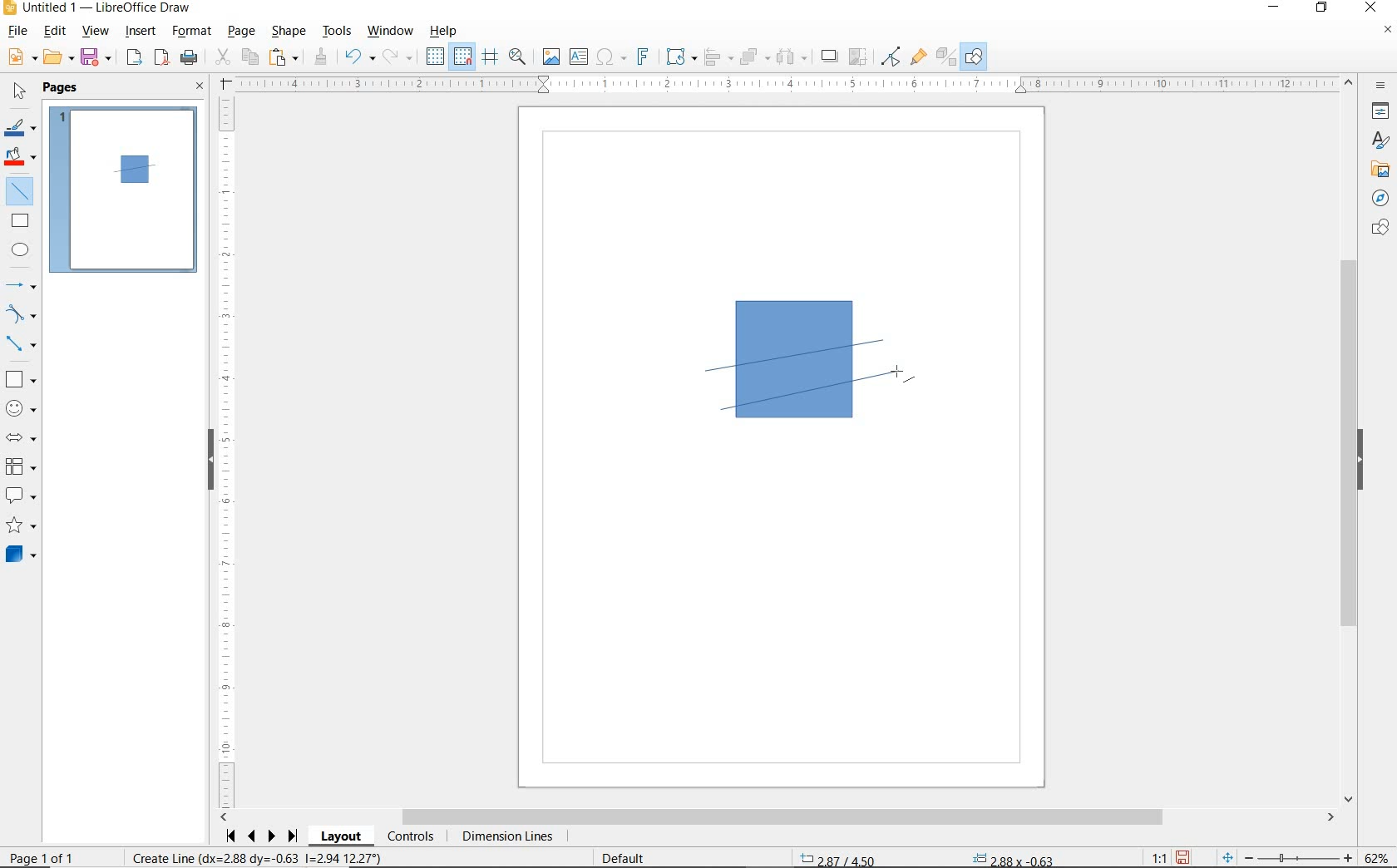 Image resolution: width=1397 pixels, height=868 pixels. I want to click on VIEW, so click(95, 31).